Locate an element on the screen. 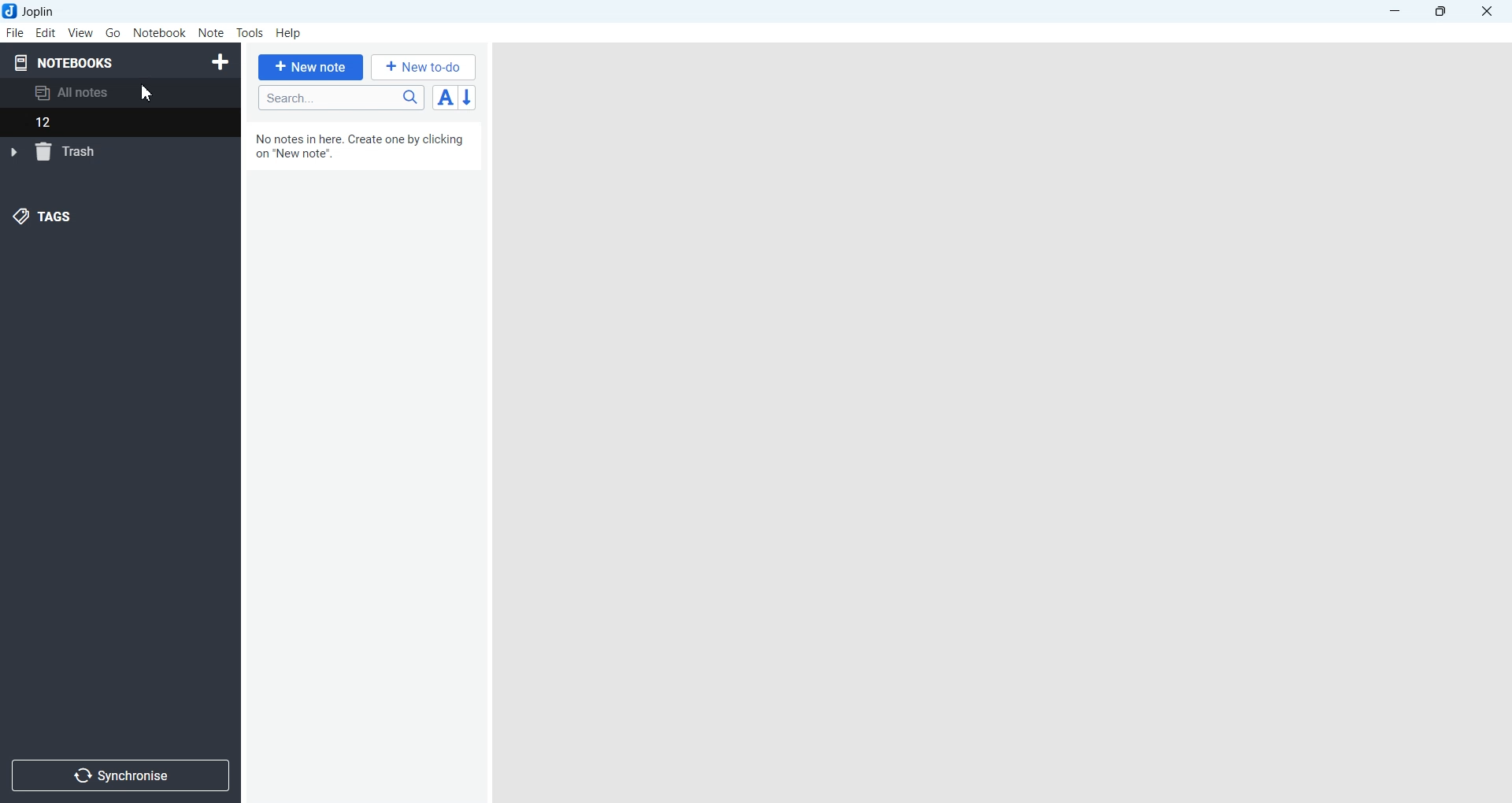 This screenshot has height=803, width=1512. + New to-do is located at coordinates (425, 66).